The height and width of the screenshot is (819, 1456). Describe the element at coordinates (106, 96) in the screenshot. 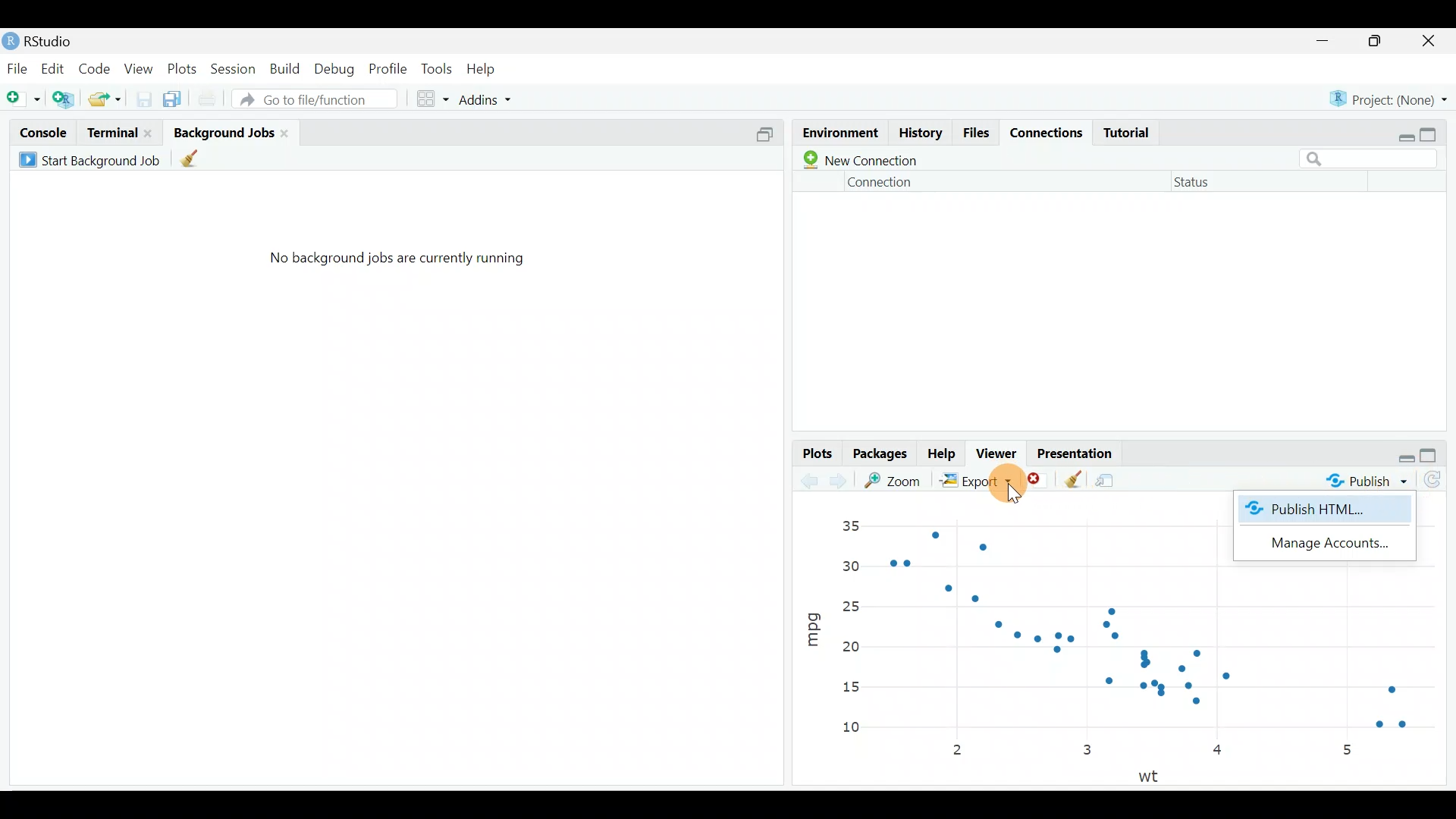

I see `open an existing file` at that location.